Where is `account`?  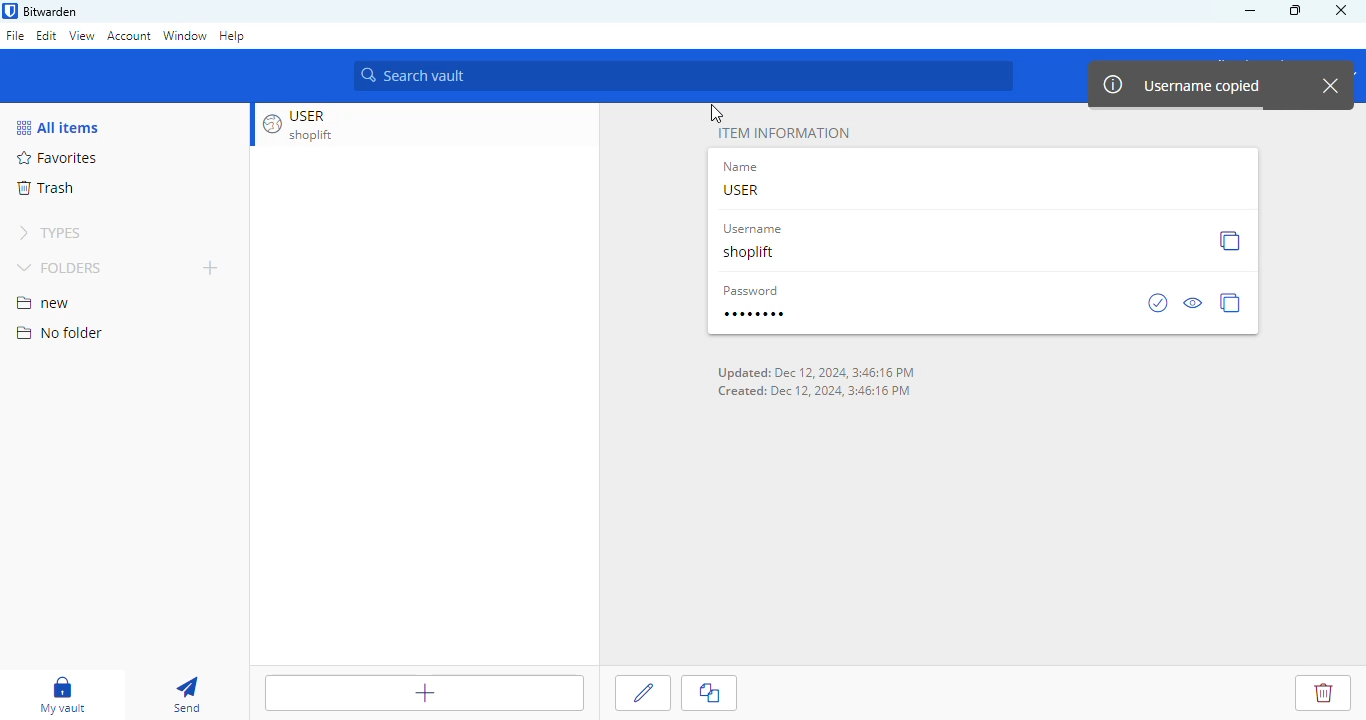
account is located at coordinates (129, 35).